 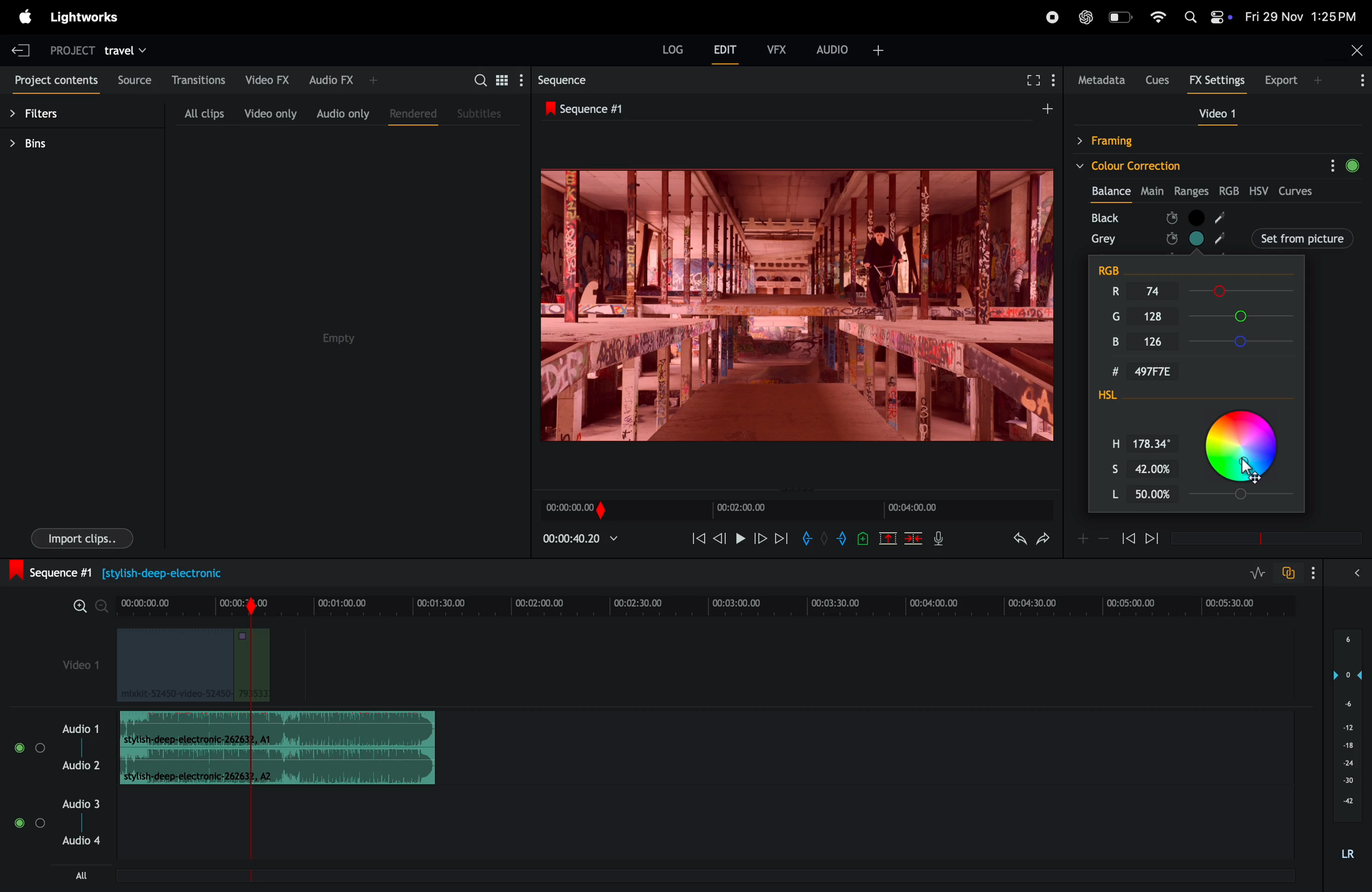 What do you see at coordinates (135, 80) in the screenshot?
I see `source` at bounding box center [135, 80].